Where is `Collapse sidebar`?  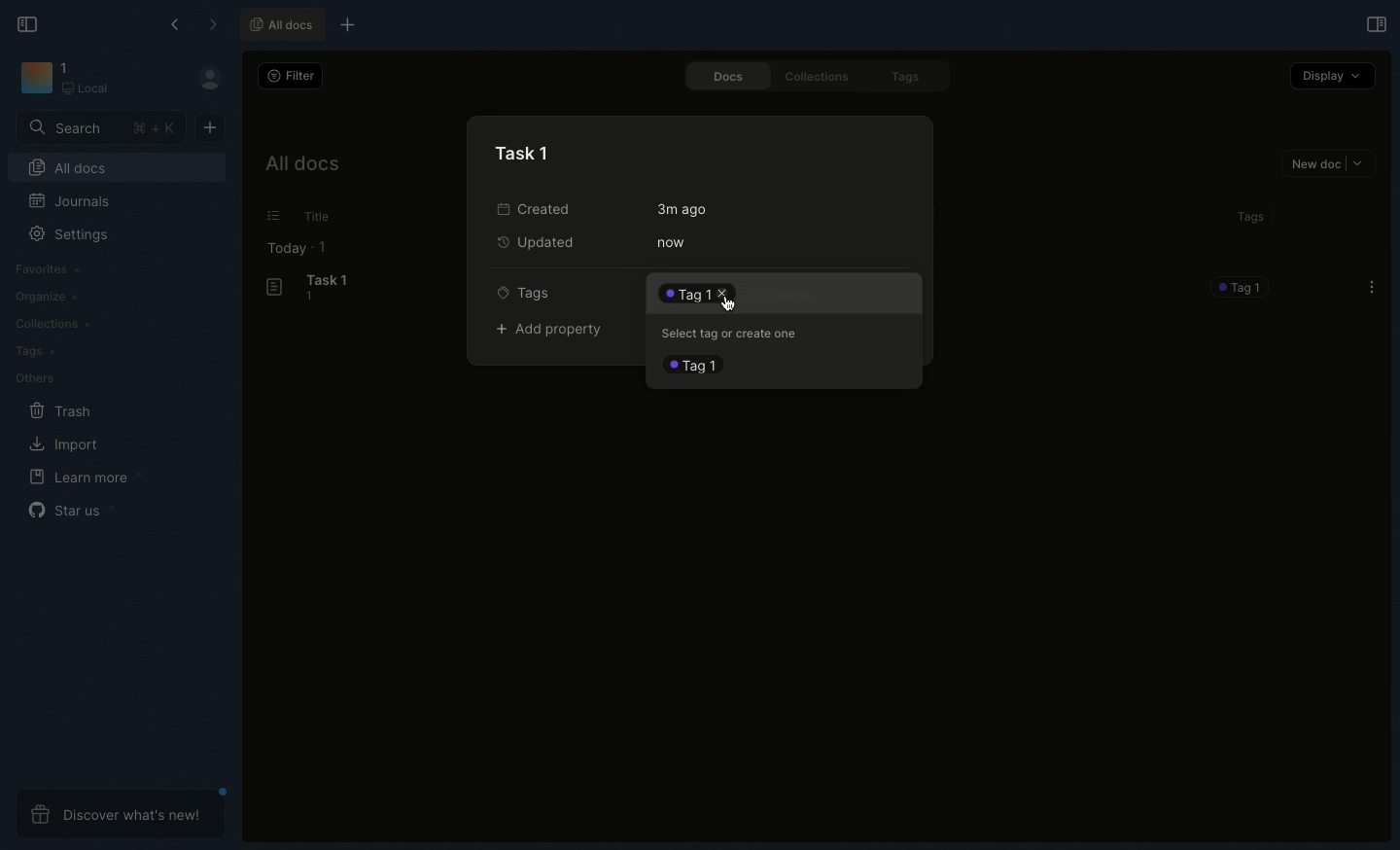 Collapse sidebar is located at coordinates (33, 26).